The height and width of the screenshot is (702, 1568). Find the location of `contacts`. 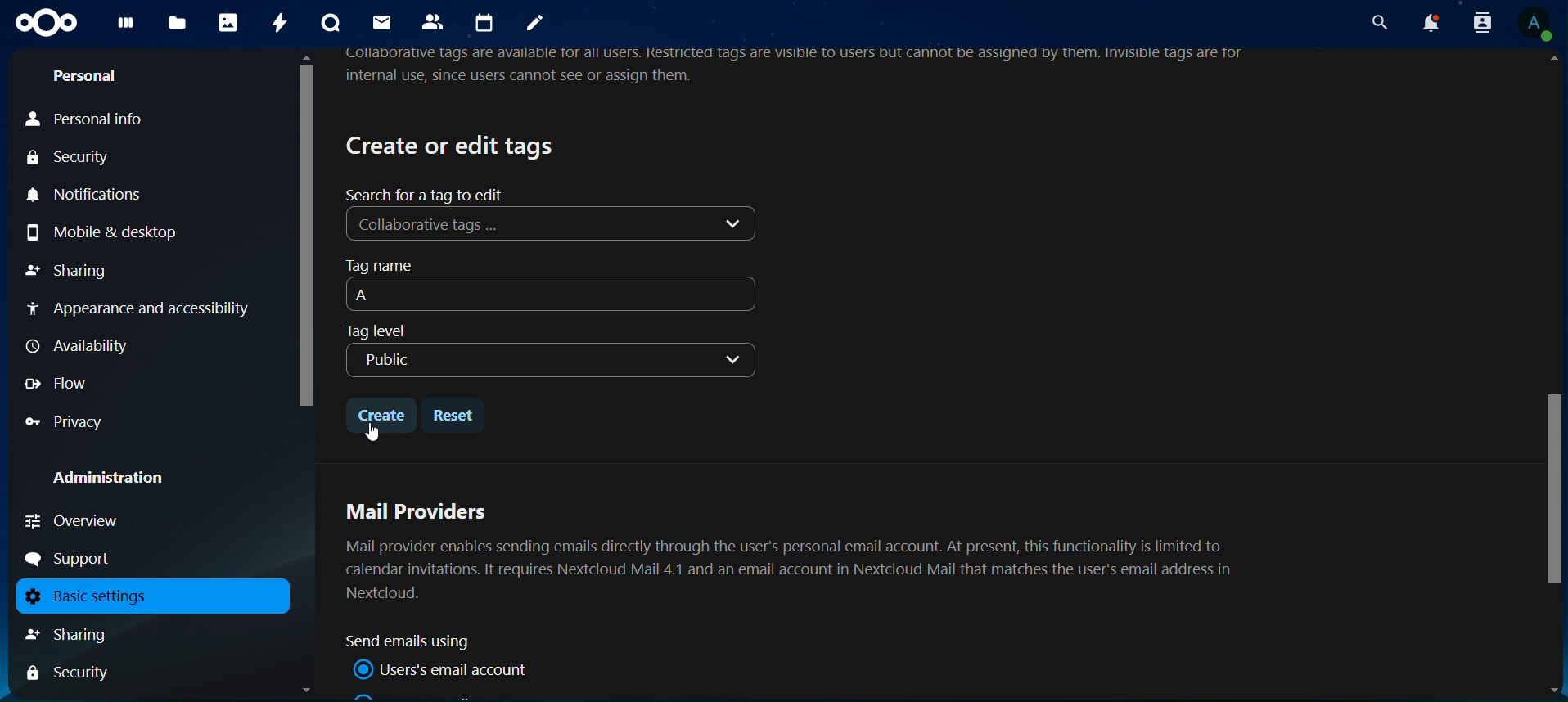

contacts is located at coordinates (436, 23).